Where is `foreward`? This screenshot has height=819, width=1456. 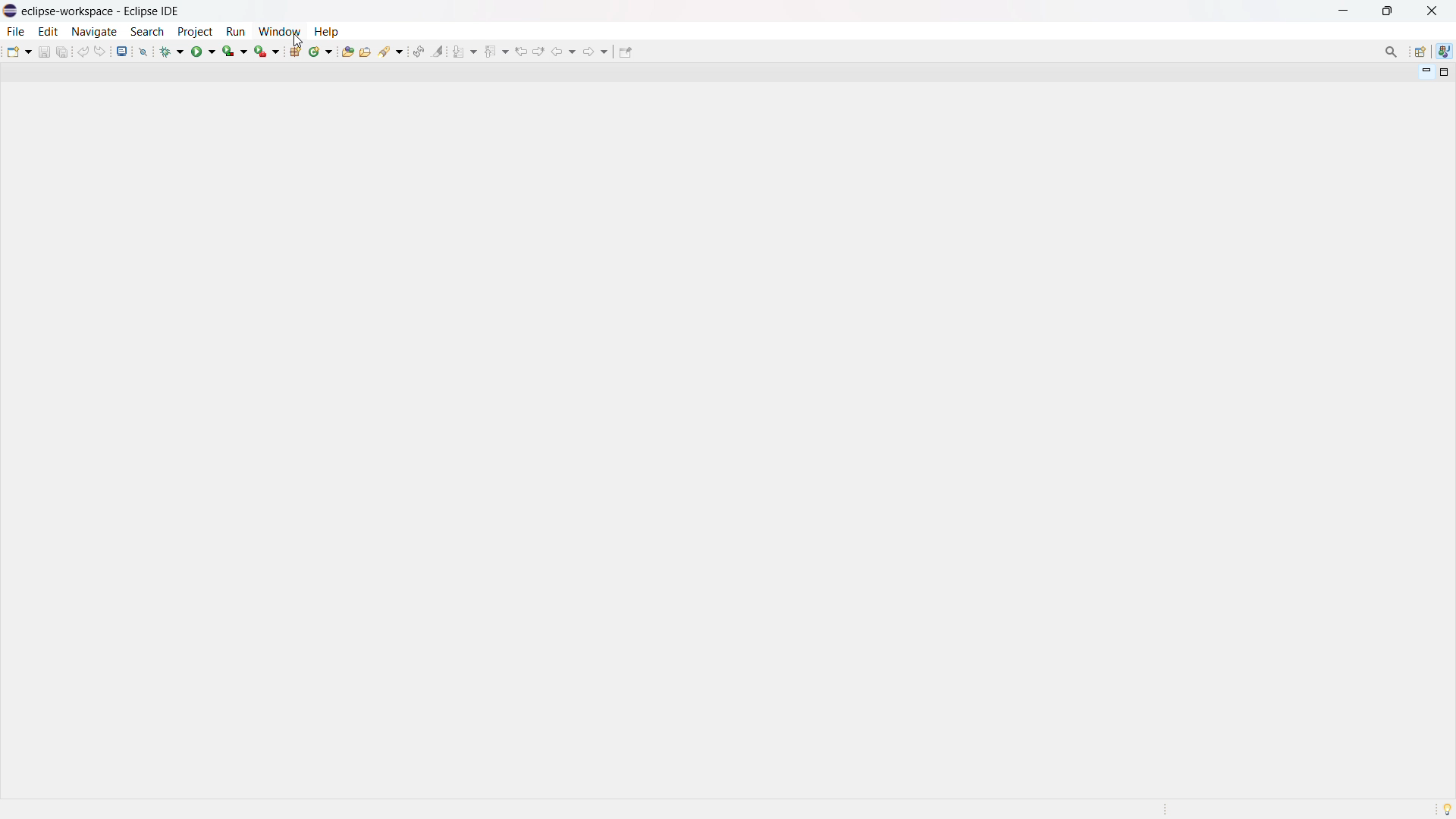 foreward is located at coordinates (596, 51).